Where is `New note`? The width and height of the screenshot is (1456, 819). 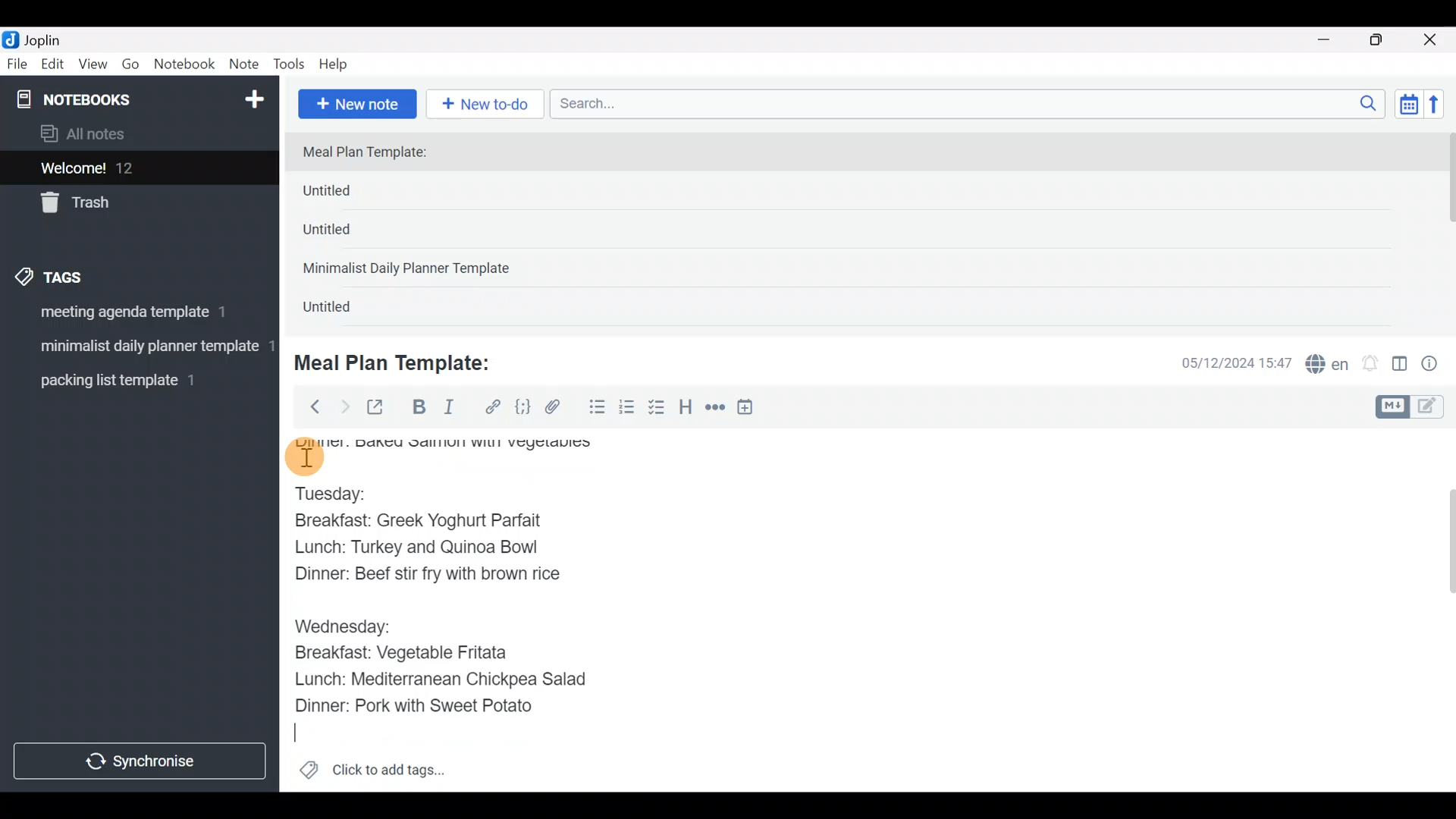 New note is located at coordinates (356, 102).